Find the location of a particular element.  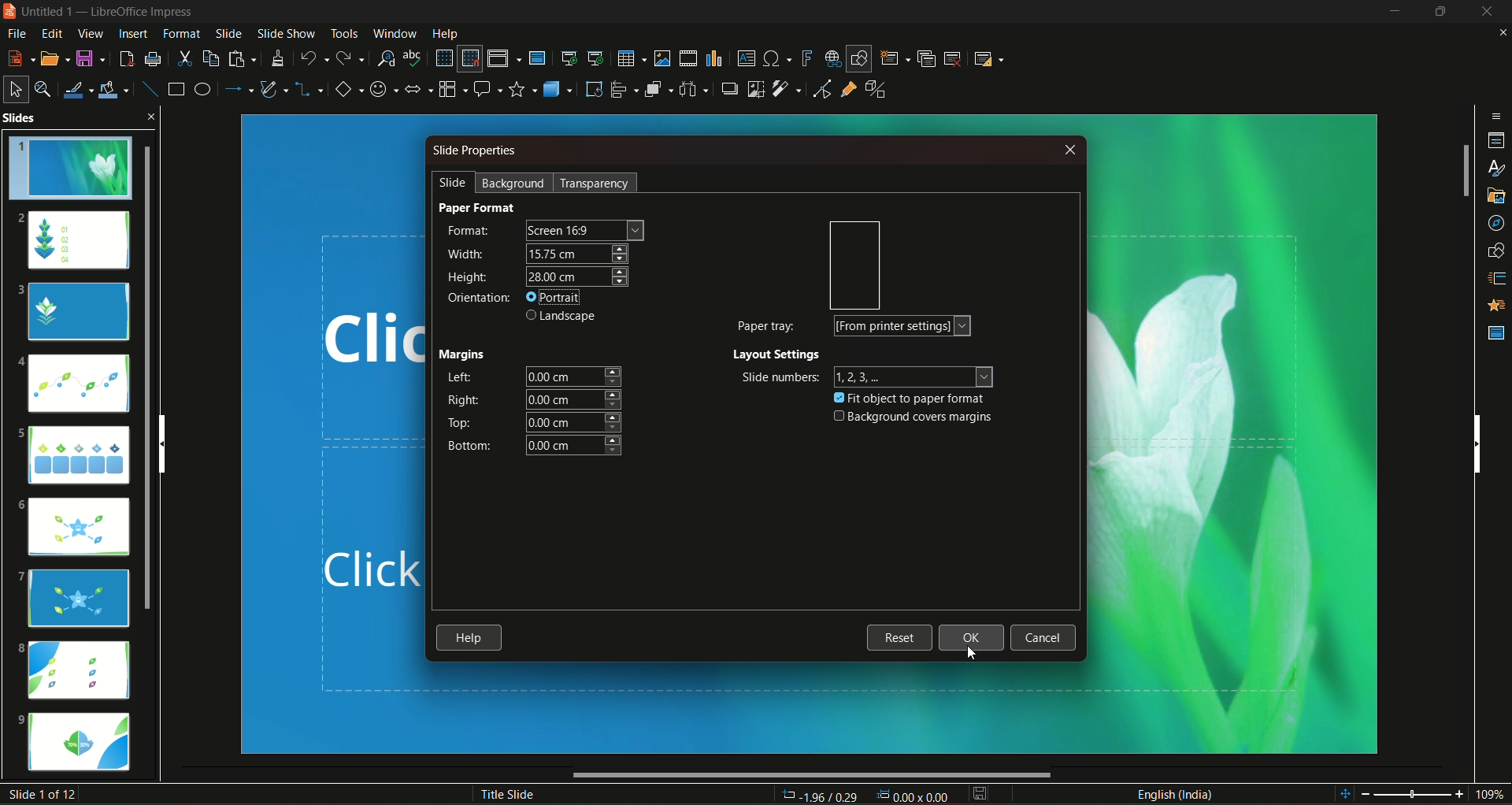

open is located at coordinates (54, 57).